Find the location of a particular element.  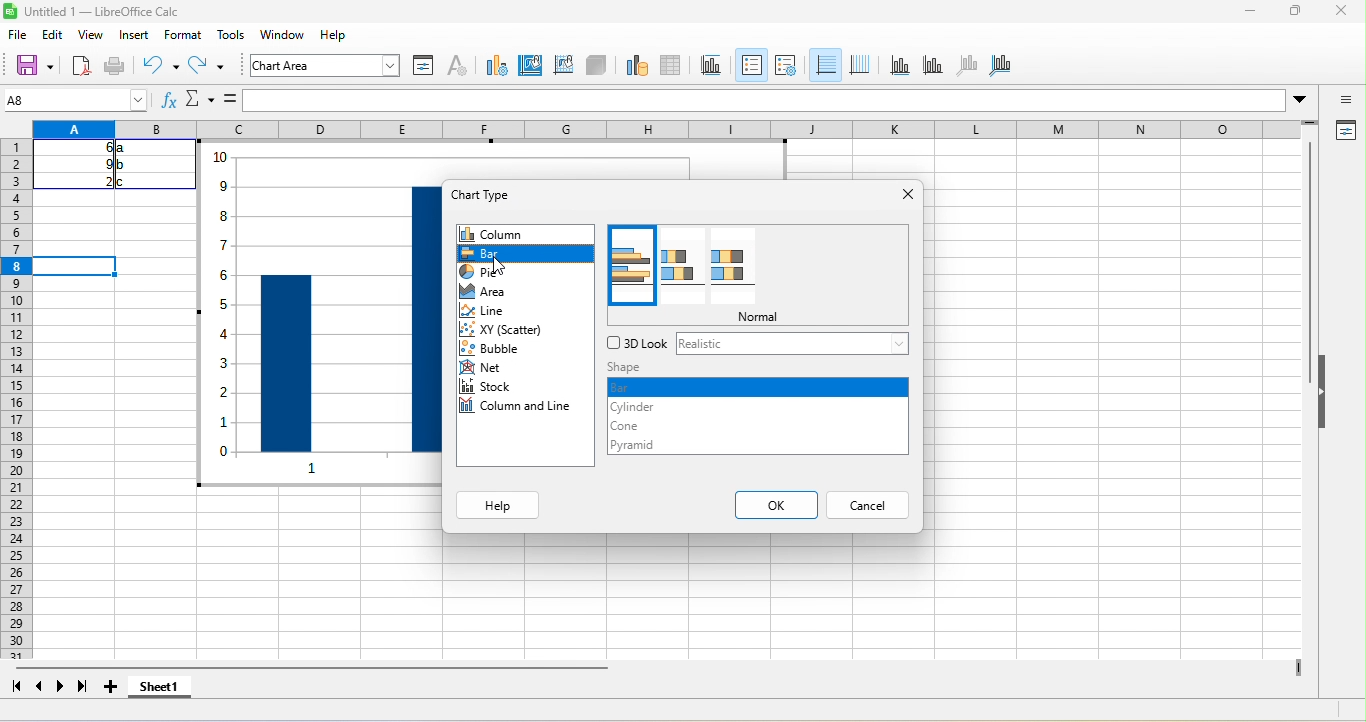

new is located at coordinates (28, 64).